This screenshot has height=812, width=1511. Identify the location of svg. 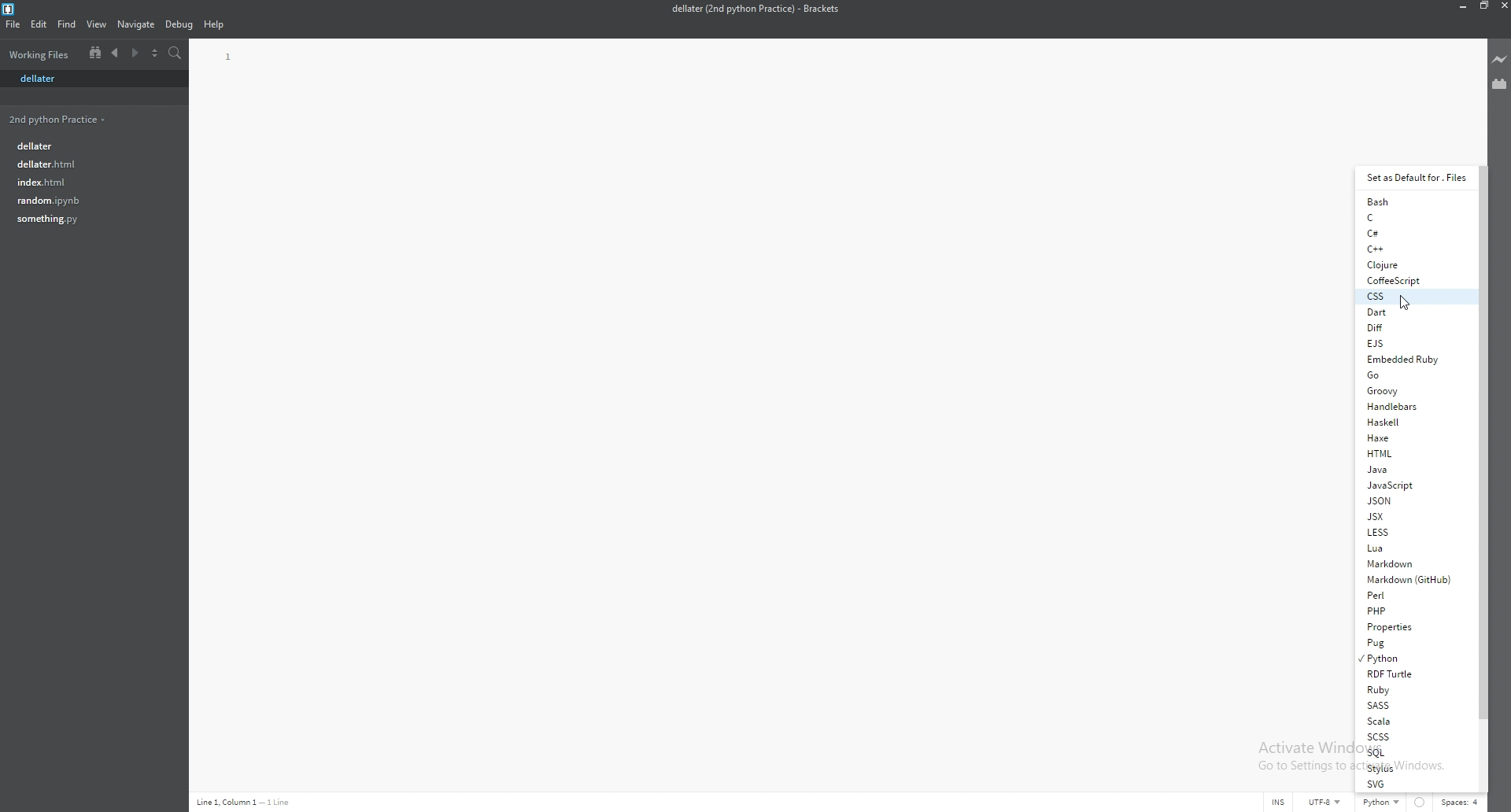
(1413, 784).